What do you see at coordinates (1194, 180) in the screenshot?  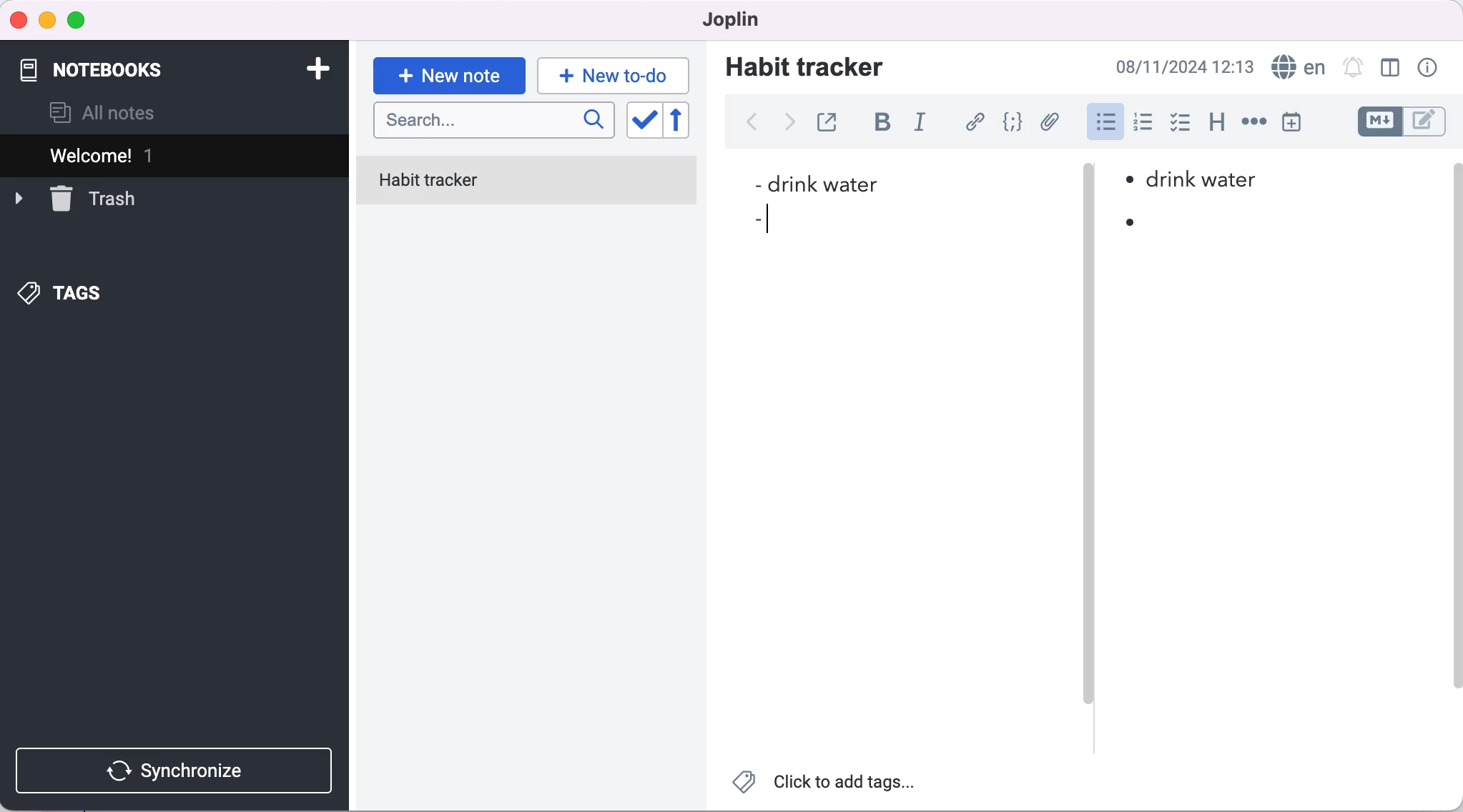 I see `• drink water` at bounding box center [1194, 180].